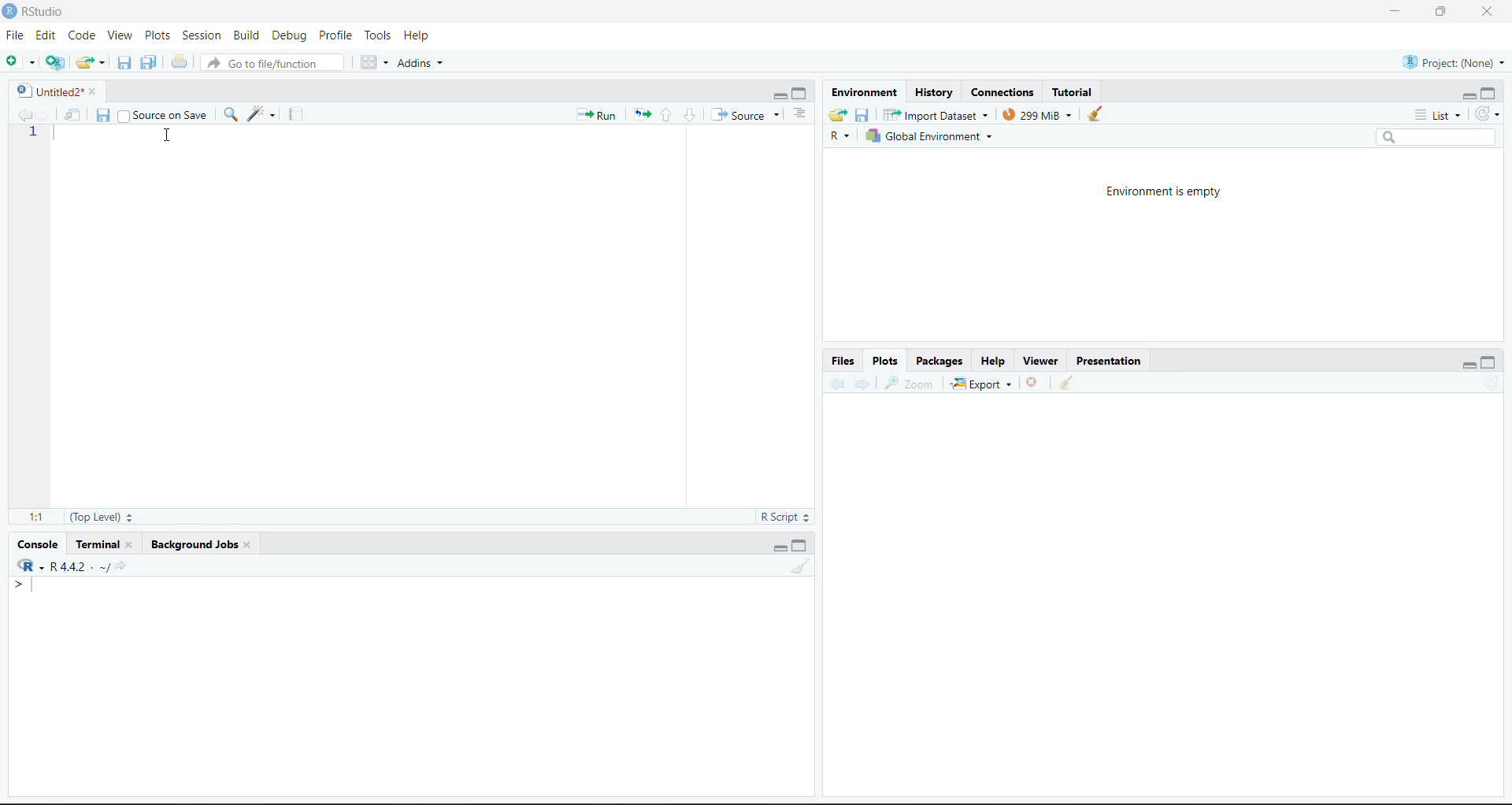 This screenshot has width=1512, height=805. Describe the element at coordinates (843, 361) in the screenshot. I see `Files` at that location.